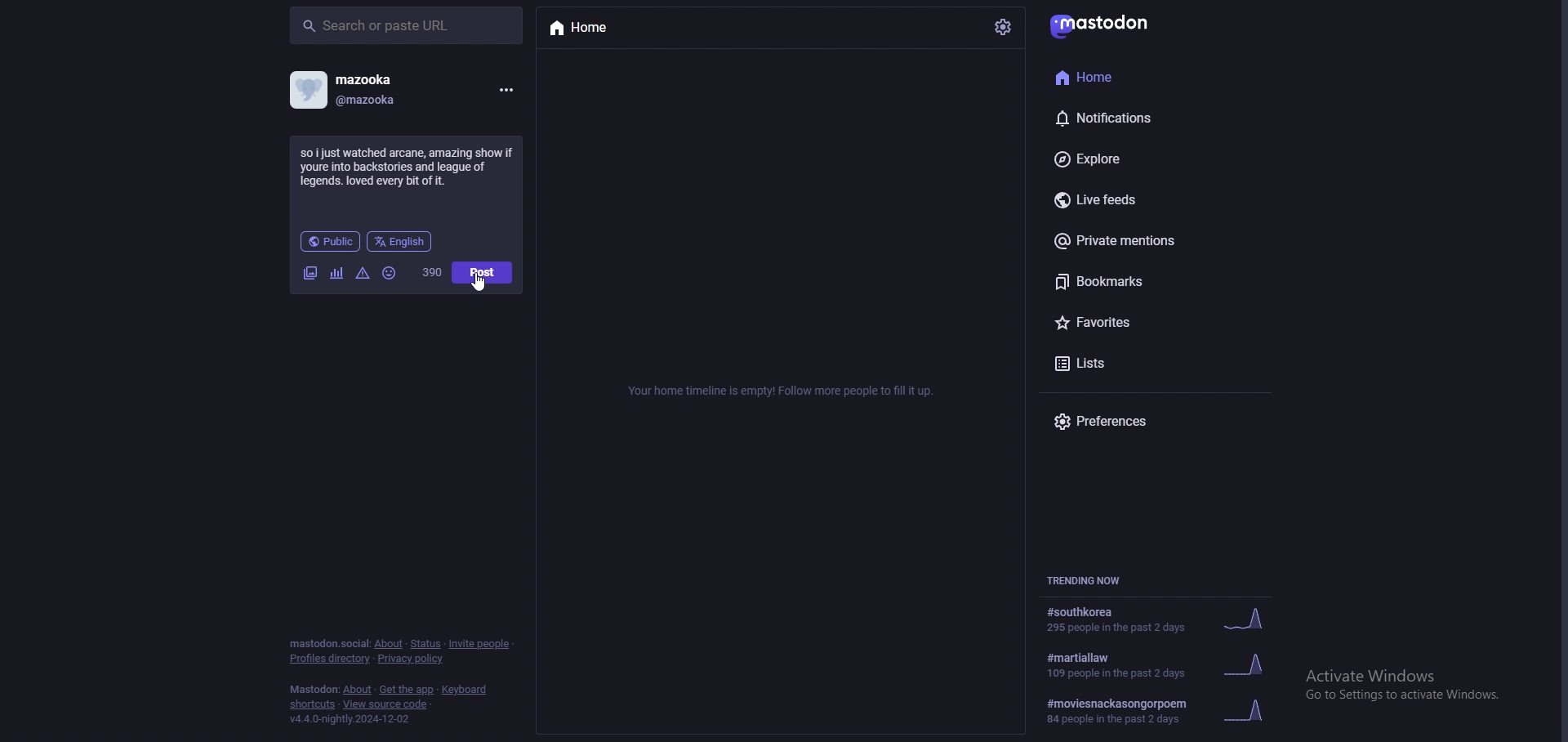 The height and width of the screenshot is (742, 1568). Describe the element at coordinates (1132, 199) in the screenshot. I see `live feeds` at that location.